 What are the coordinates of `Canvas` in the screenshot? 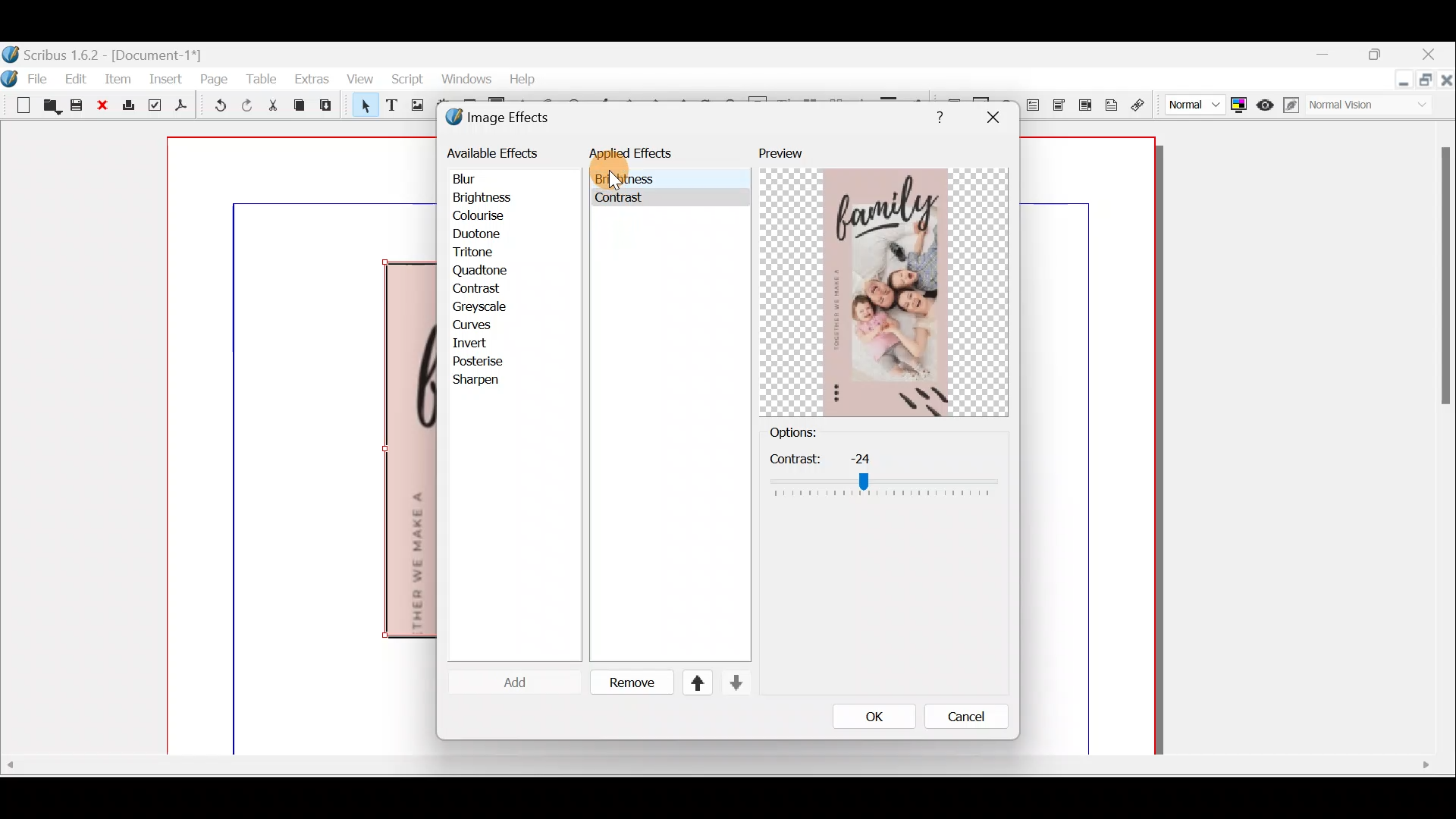 It's located at (303, 447).